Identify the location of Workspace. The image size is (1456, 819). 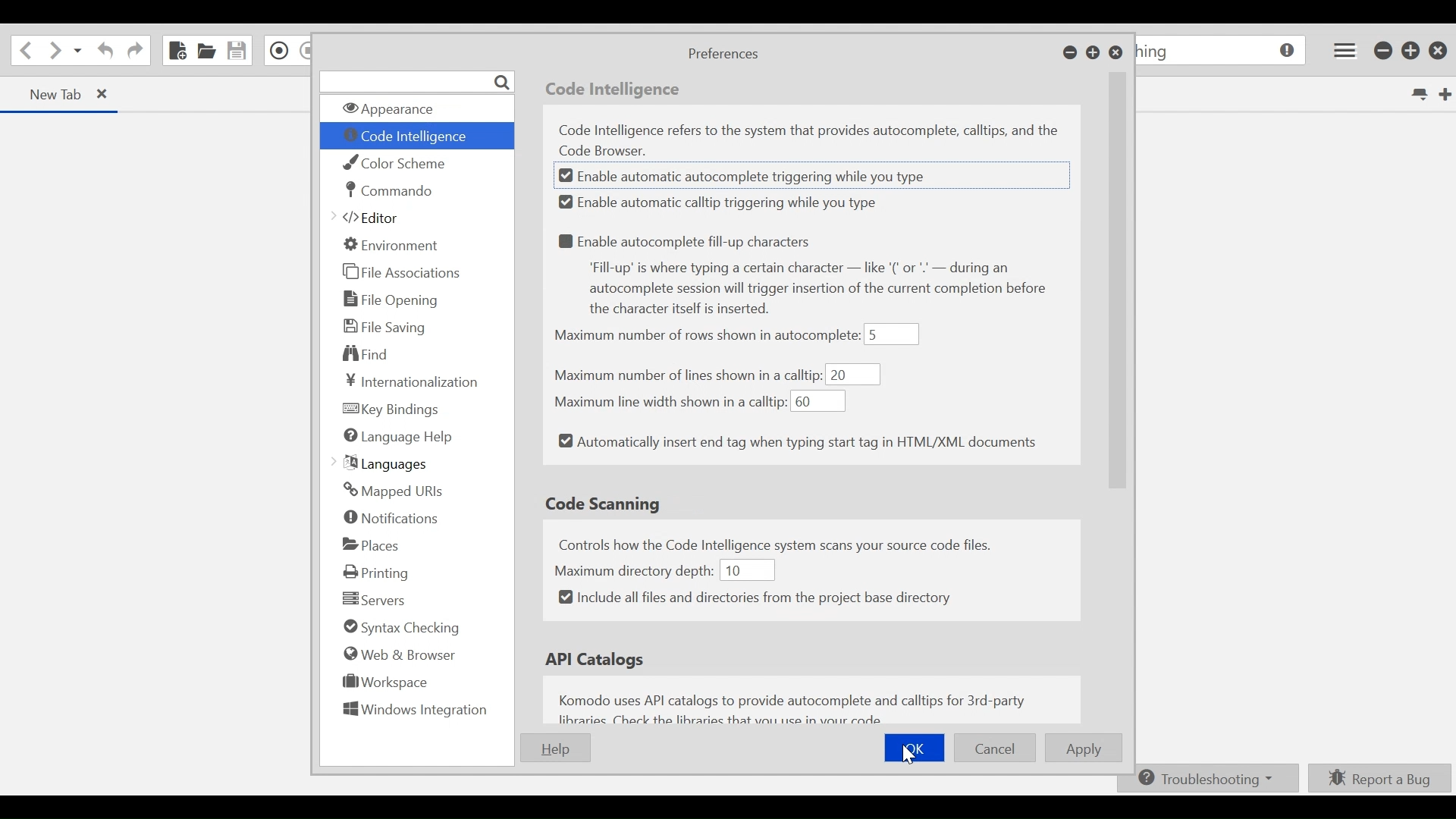
(381, 685).